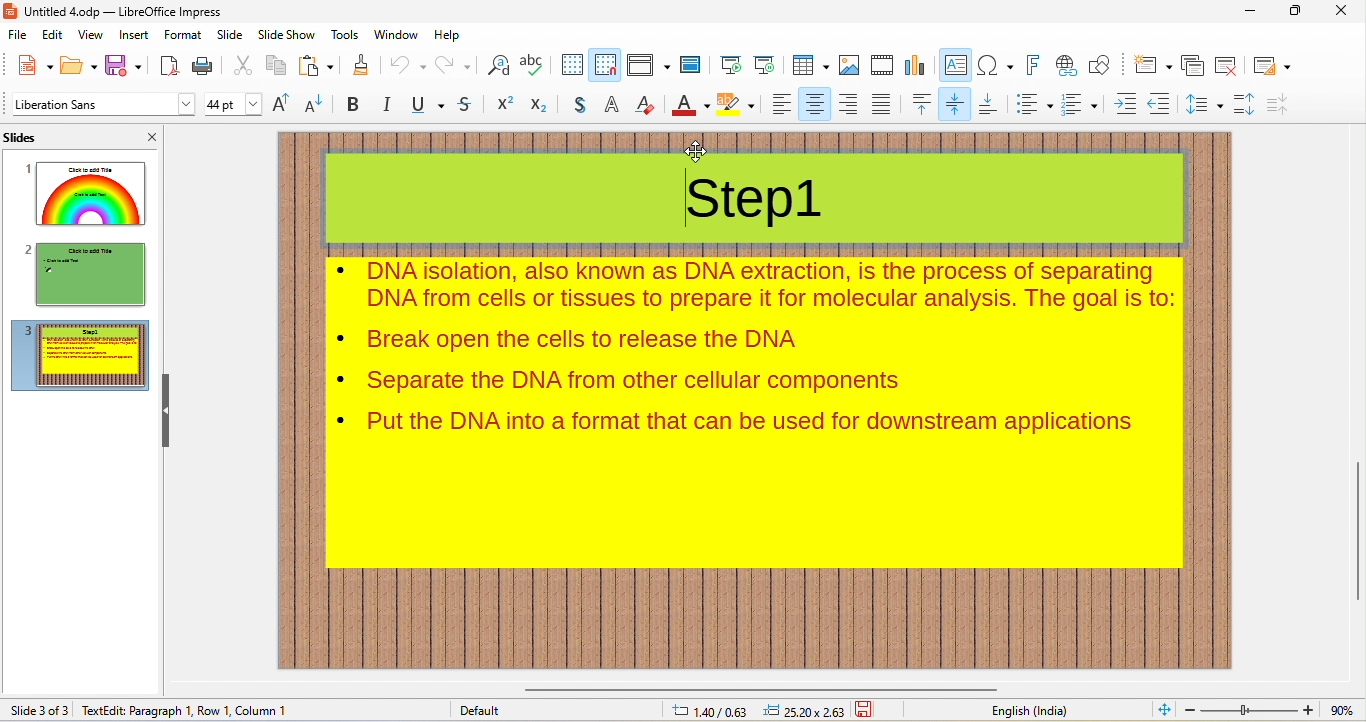 This screenshot has width=1366, height=722. I want to click on background, so click(738, 106).